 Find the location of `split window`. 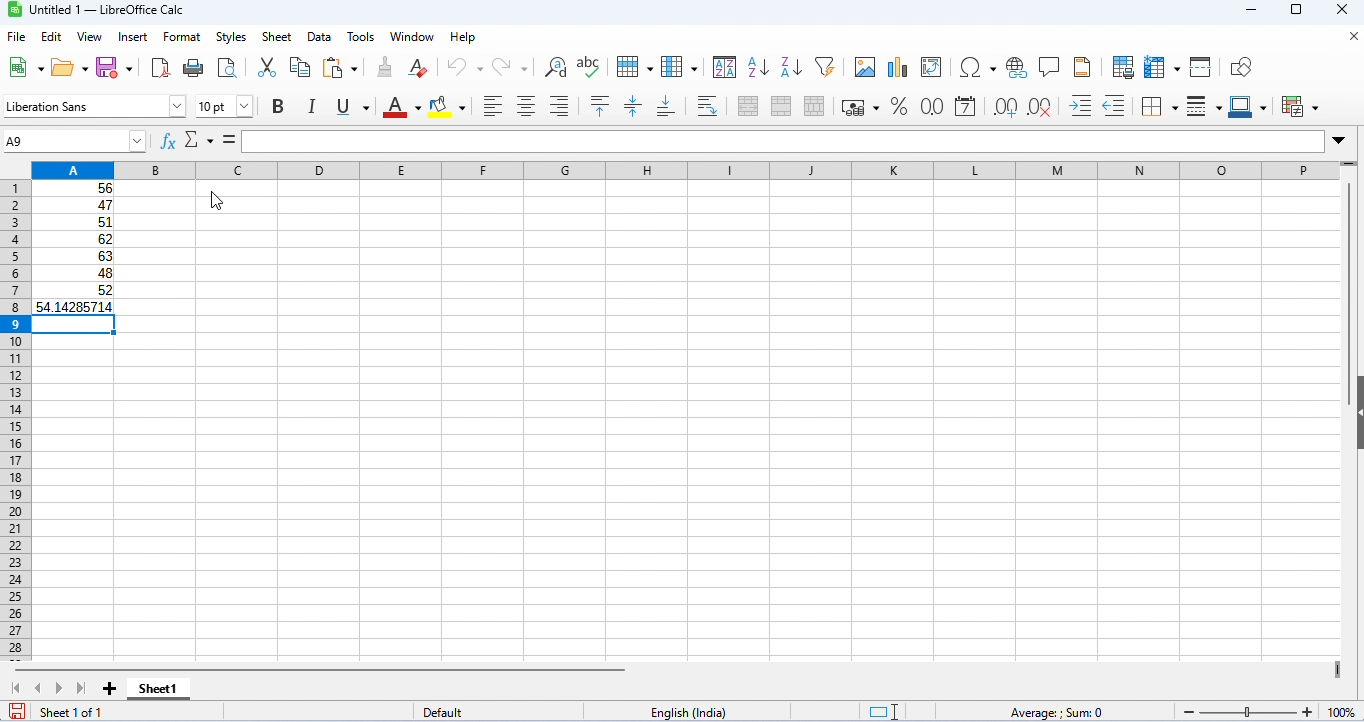

split window is located at coordinates (1203, 67).